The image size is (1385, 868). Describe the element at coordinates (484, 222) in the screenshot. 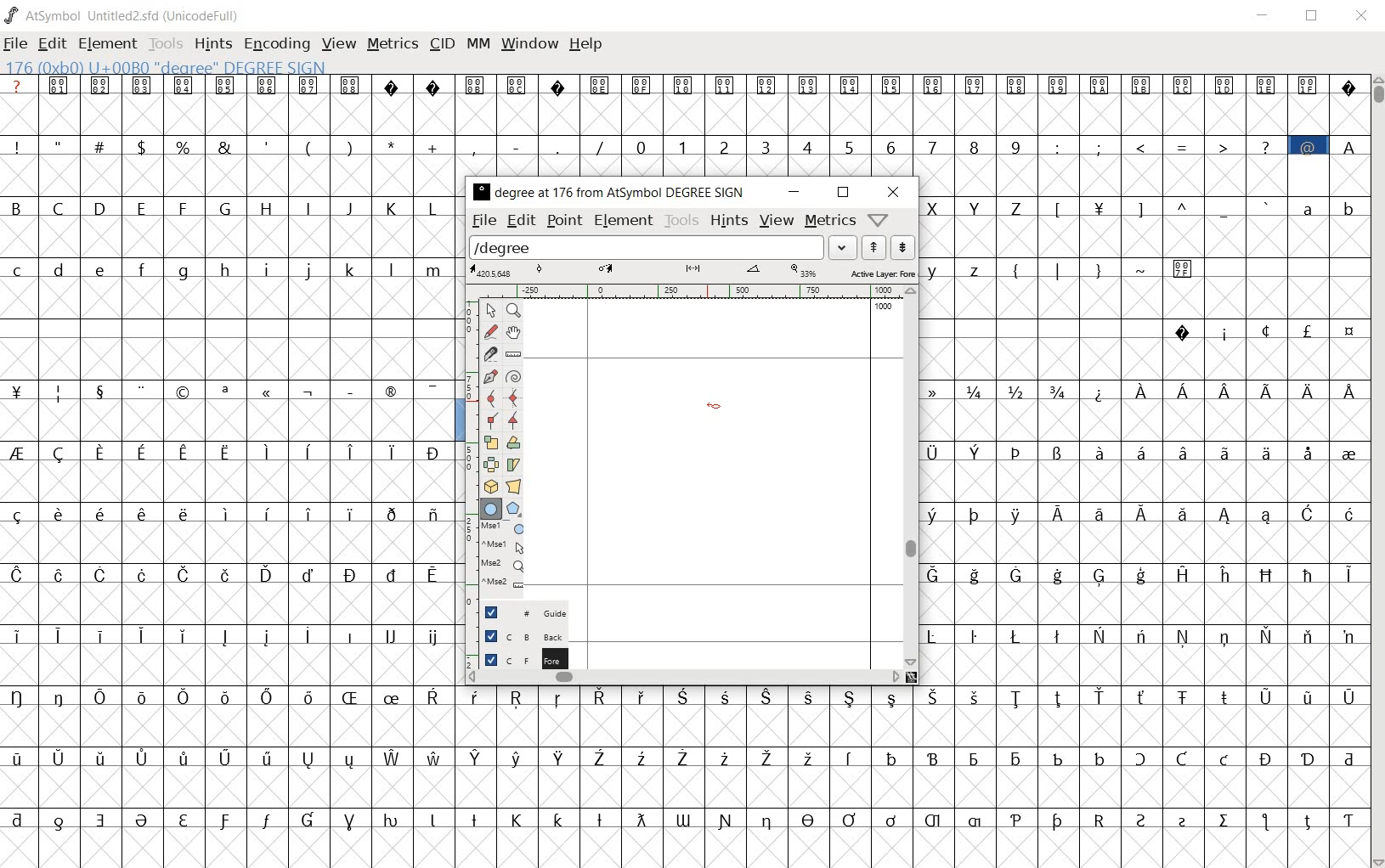

I see `file` at that location.